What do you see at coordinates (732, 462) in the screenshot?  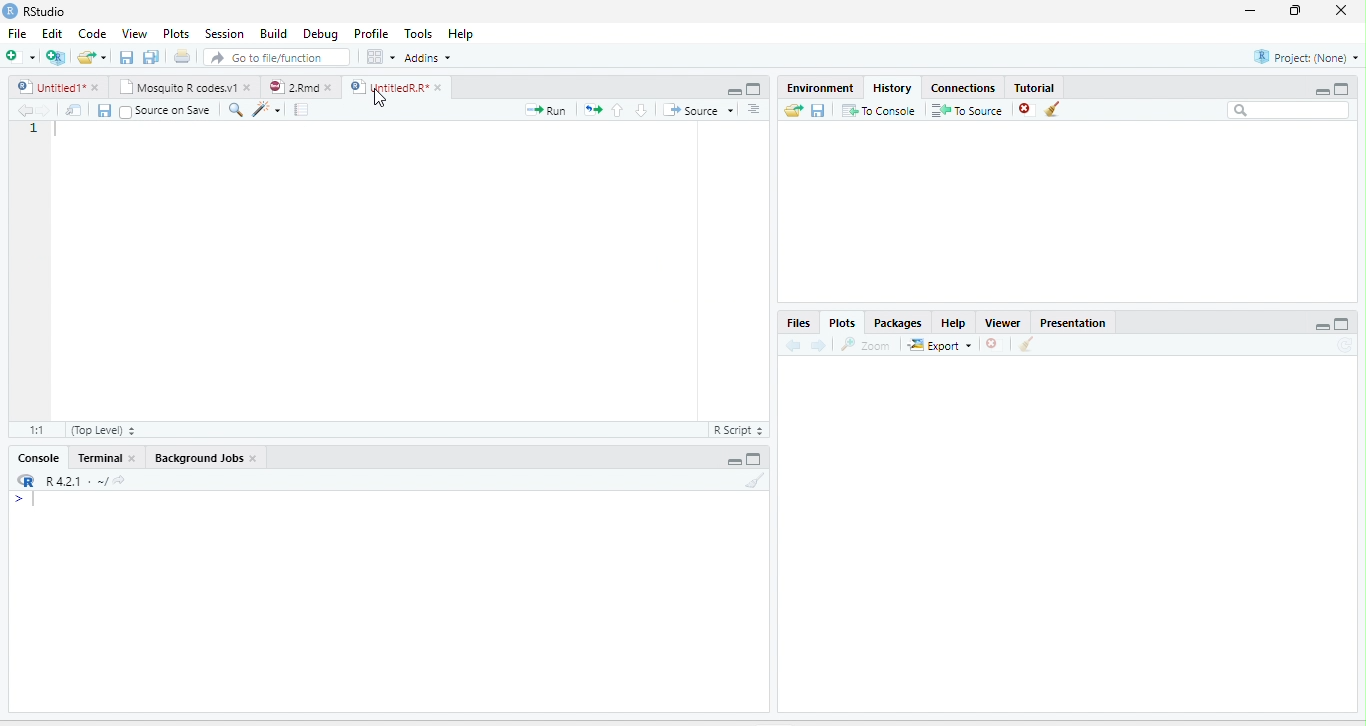 I see `Minimize` at bounding box center [732, 462].